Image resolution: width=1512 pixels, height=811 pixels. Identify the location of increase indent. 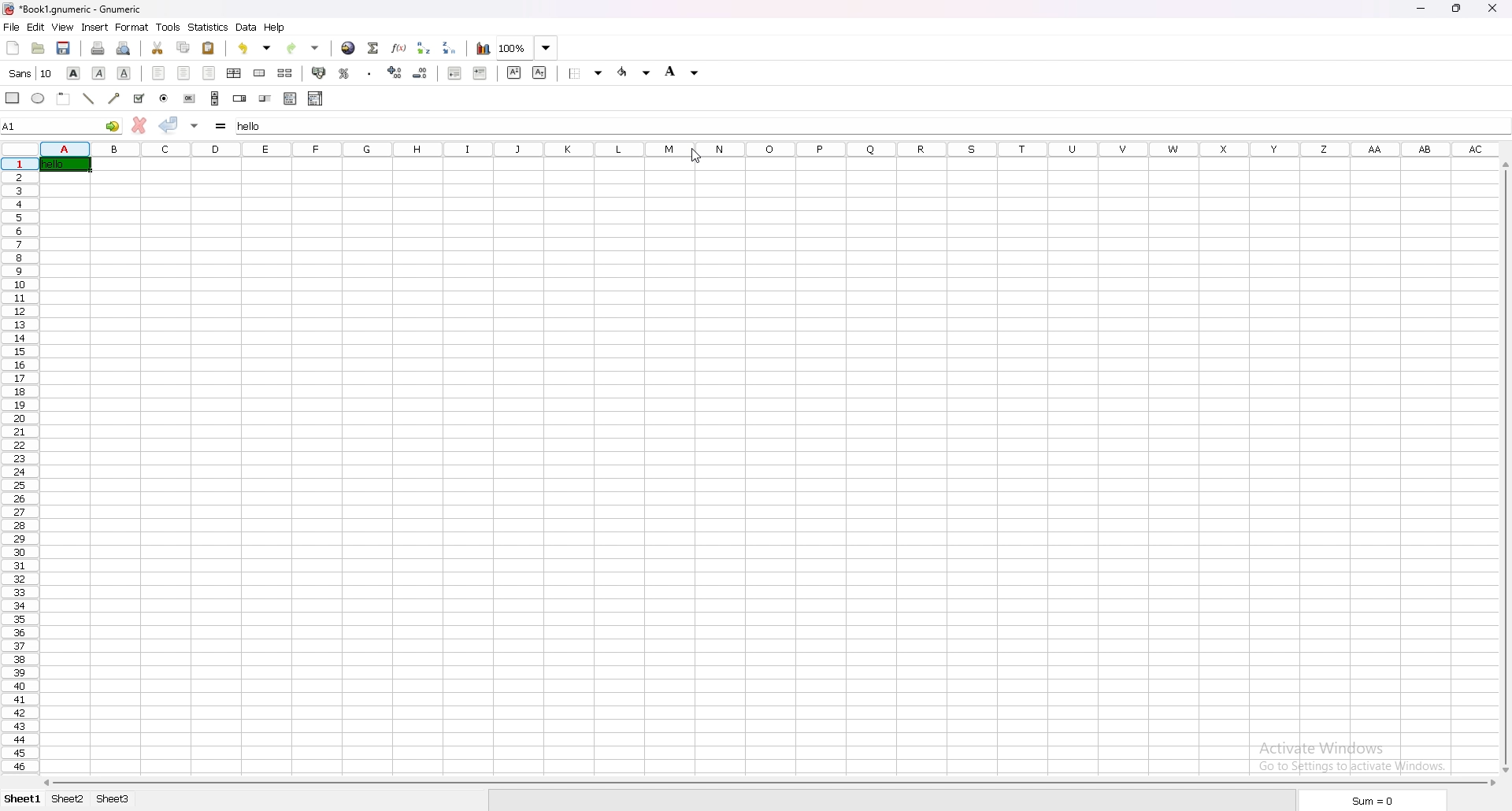
(480, 72).